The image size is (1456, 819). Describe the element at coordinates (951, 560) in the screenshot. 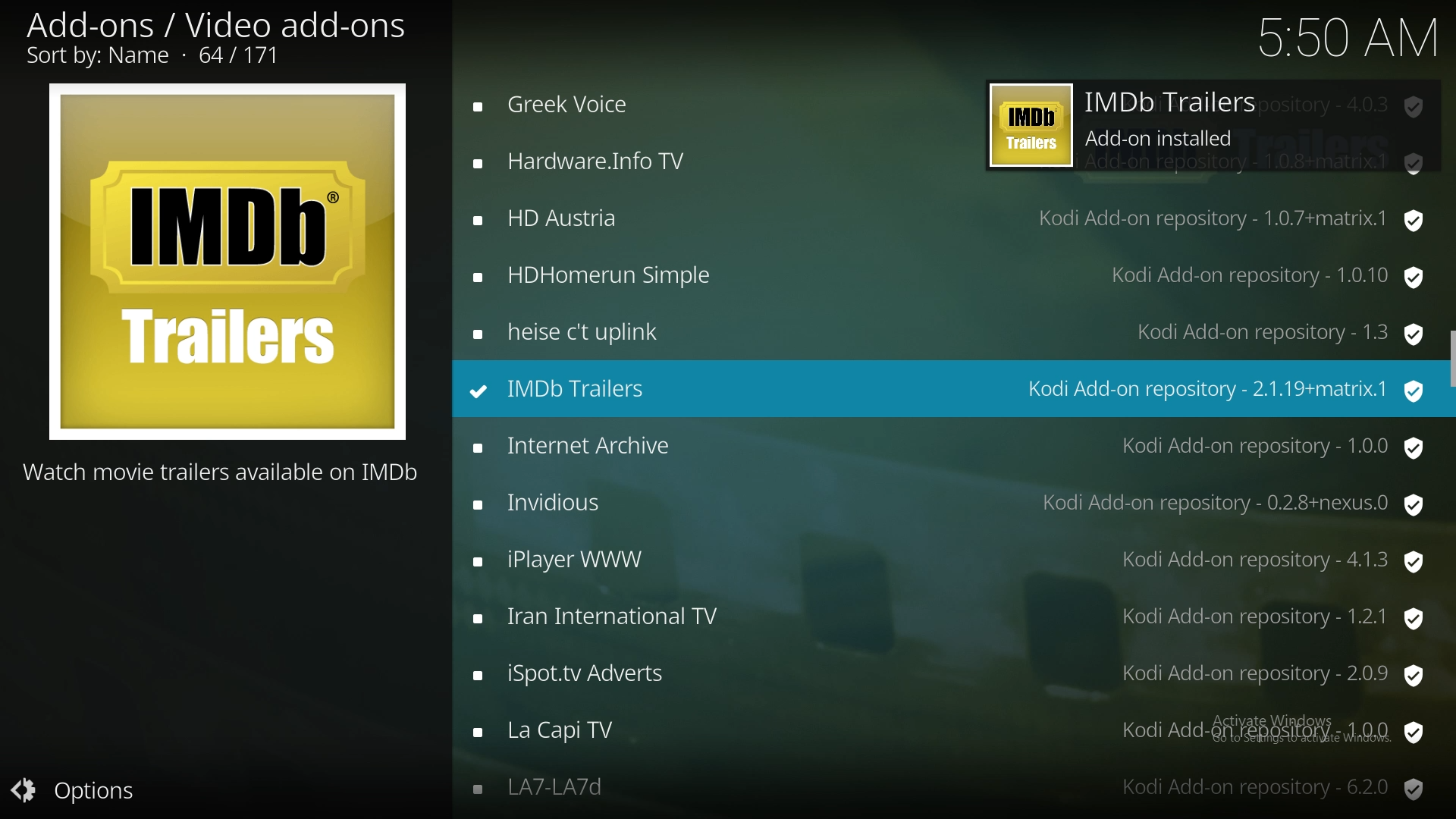

I see `add on` at that location.